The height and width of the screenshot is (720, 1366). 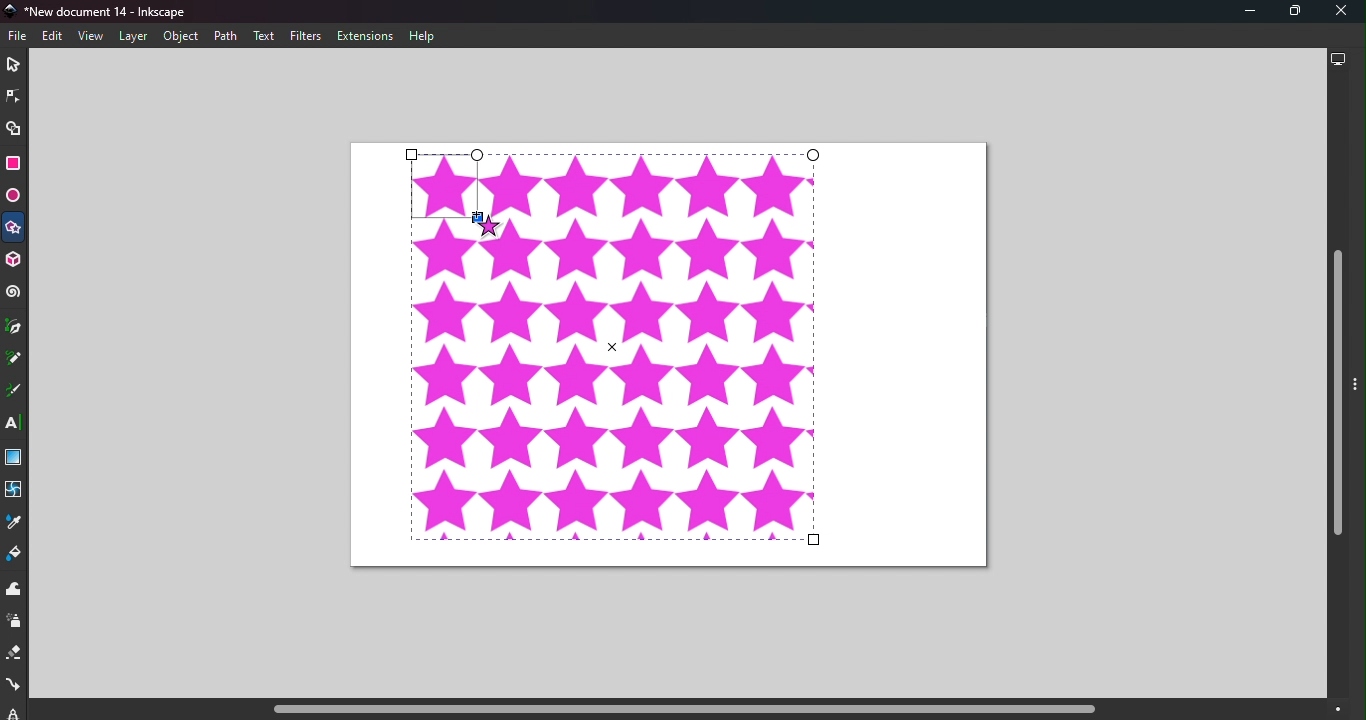 What do you see at coordinates (424, 37) in the screenshot?
I see `Help` at bounding box center [424, 37].